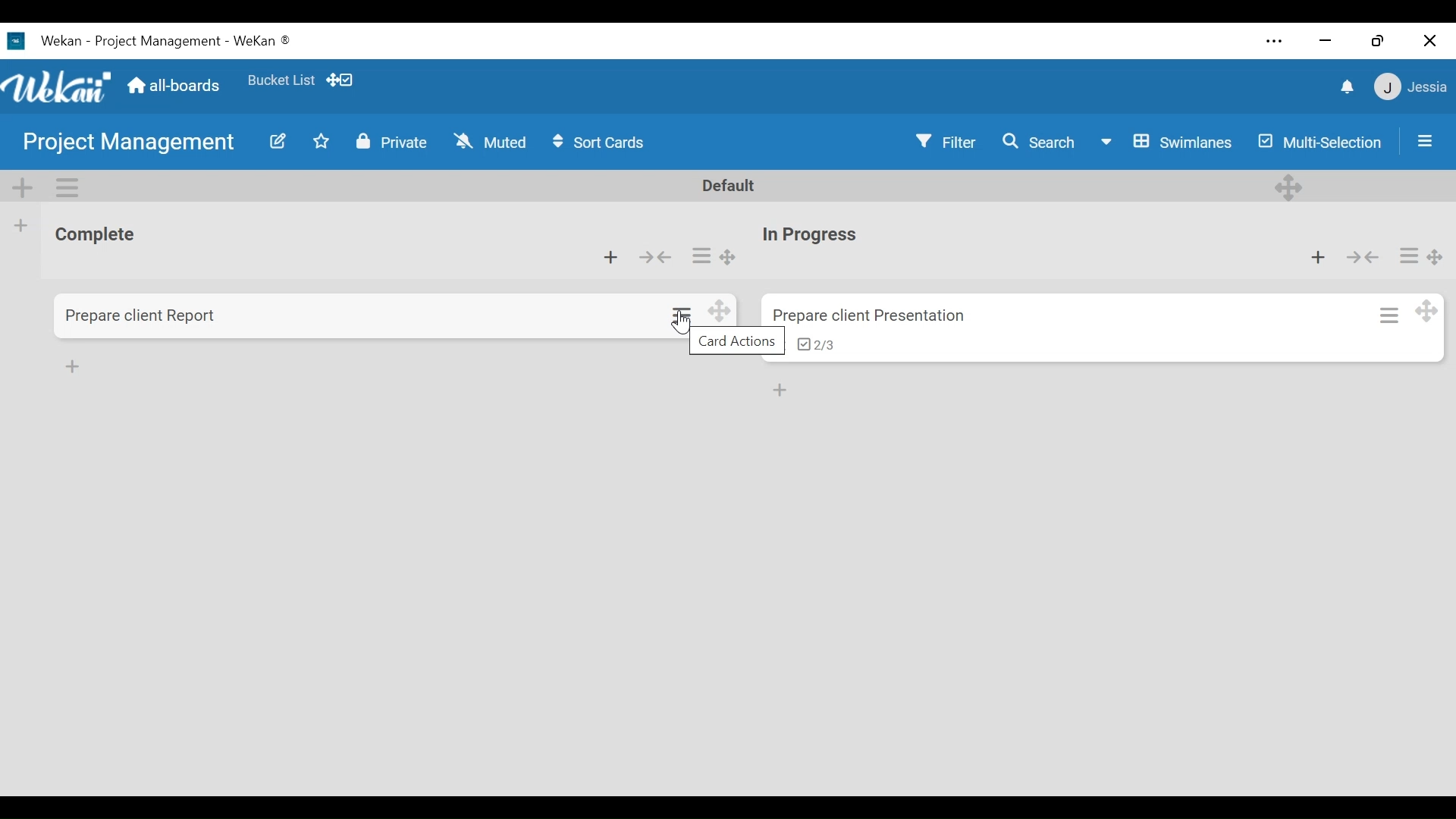 The width and height of the screenshot is (1456, 819). What do you see at coordinates (598, 142) in the screenshot?
I see `Sort Cards` at bounding box center [598, 142].